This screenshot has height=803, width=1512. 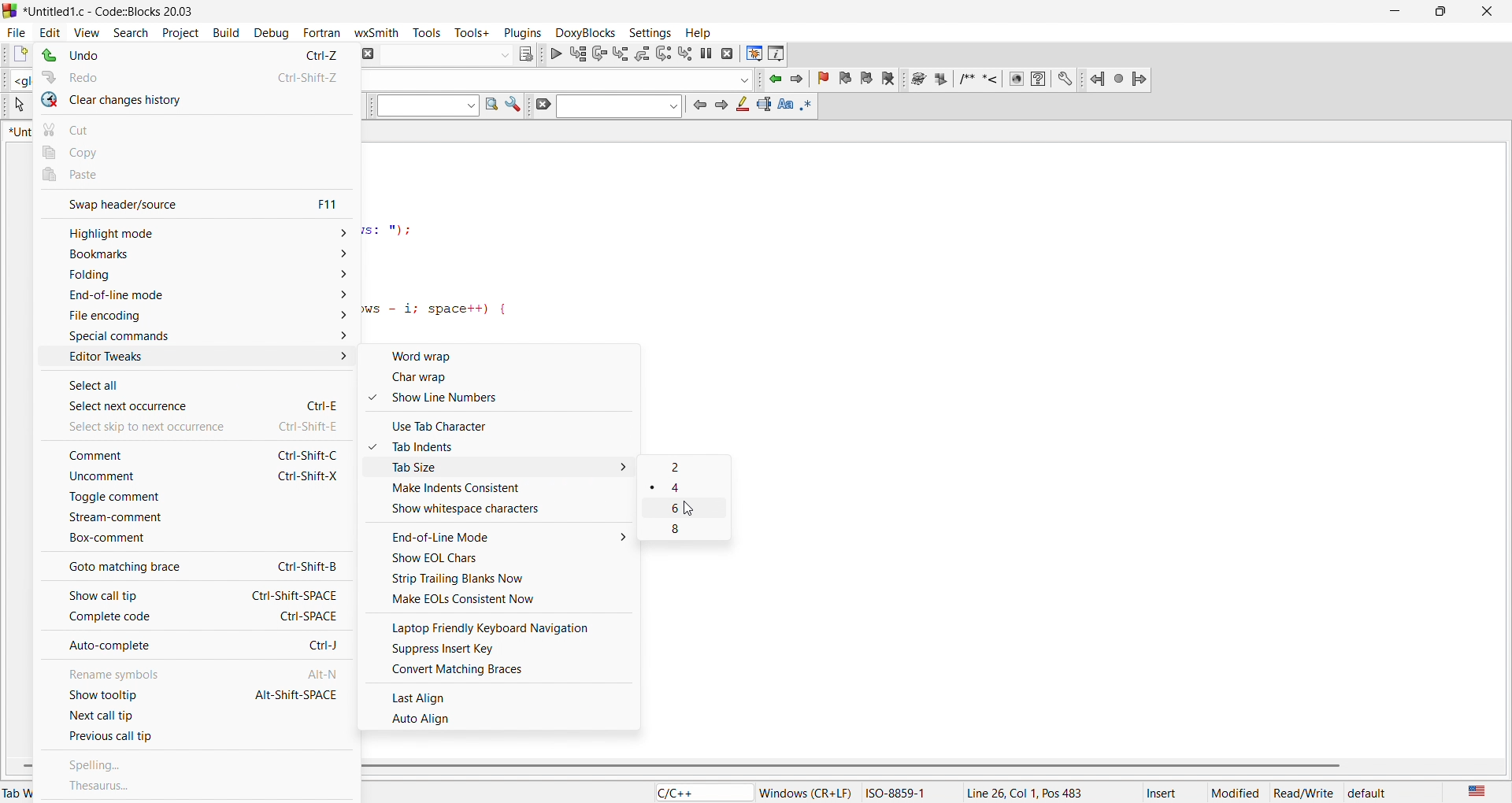 I want to click on undo, so click(x=139, y=56).